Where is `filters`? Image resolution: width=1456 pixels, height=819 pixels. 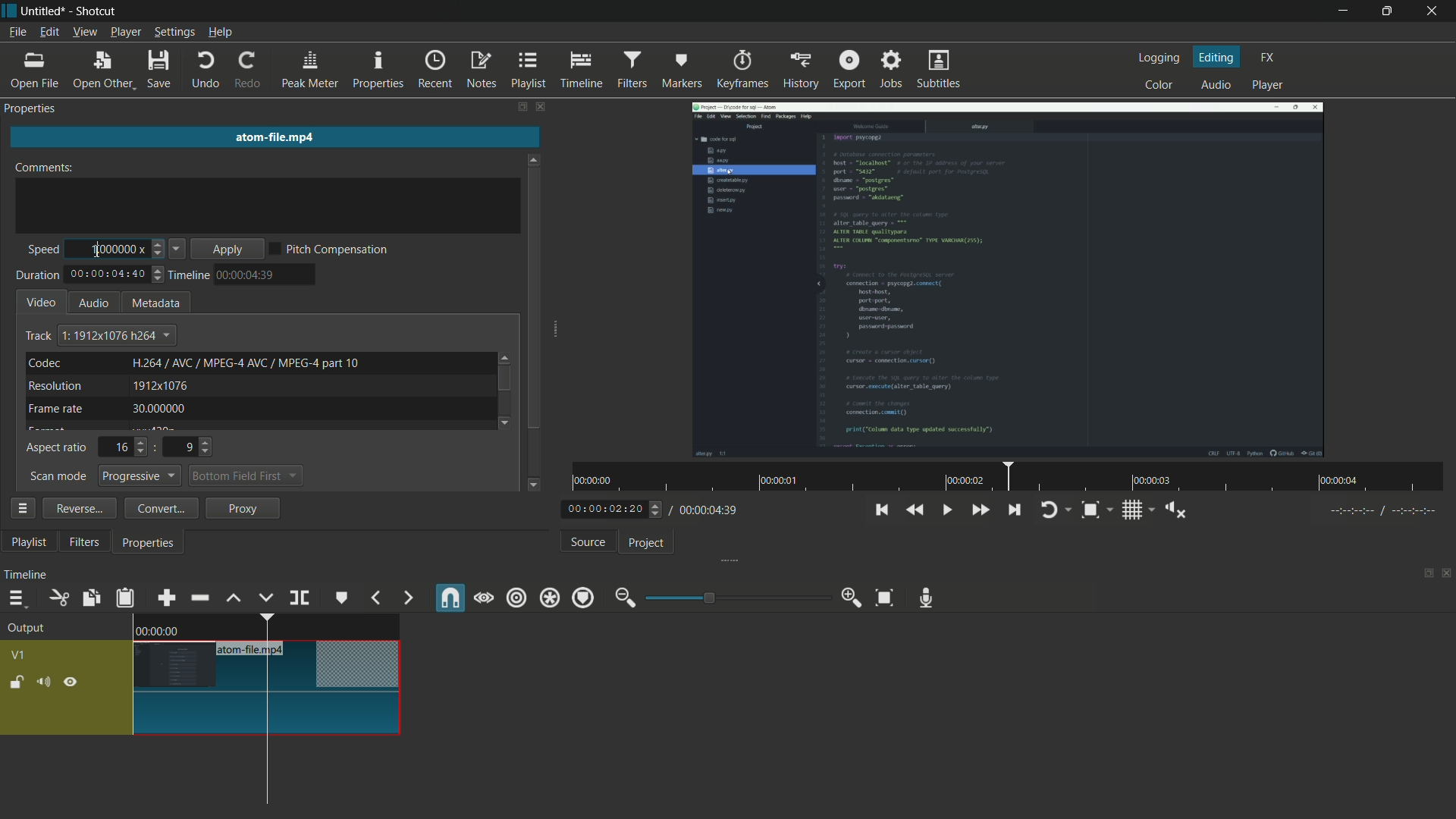 filters is located at coordinates (87, 543).